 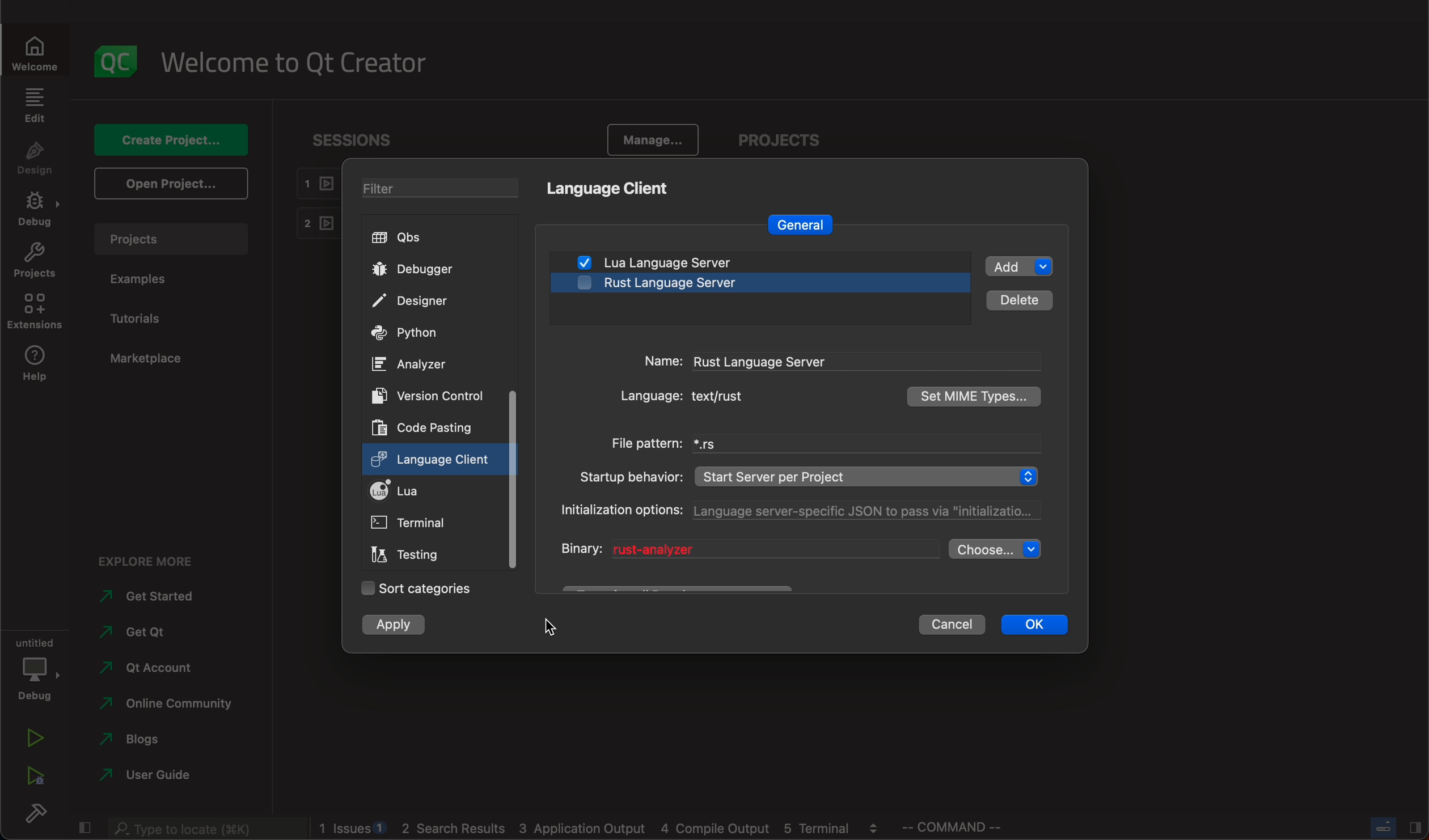 What do you see at coordinates (147, 600) in the screenshot?
I see `started` at bounding box center [147, 600].